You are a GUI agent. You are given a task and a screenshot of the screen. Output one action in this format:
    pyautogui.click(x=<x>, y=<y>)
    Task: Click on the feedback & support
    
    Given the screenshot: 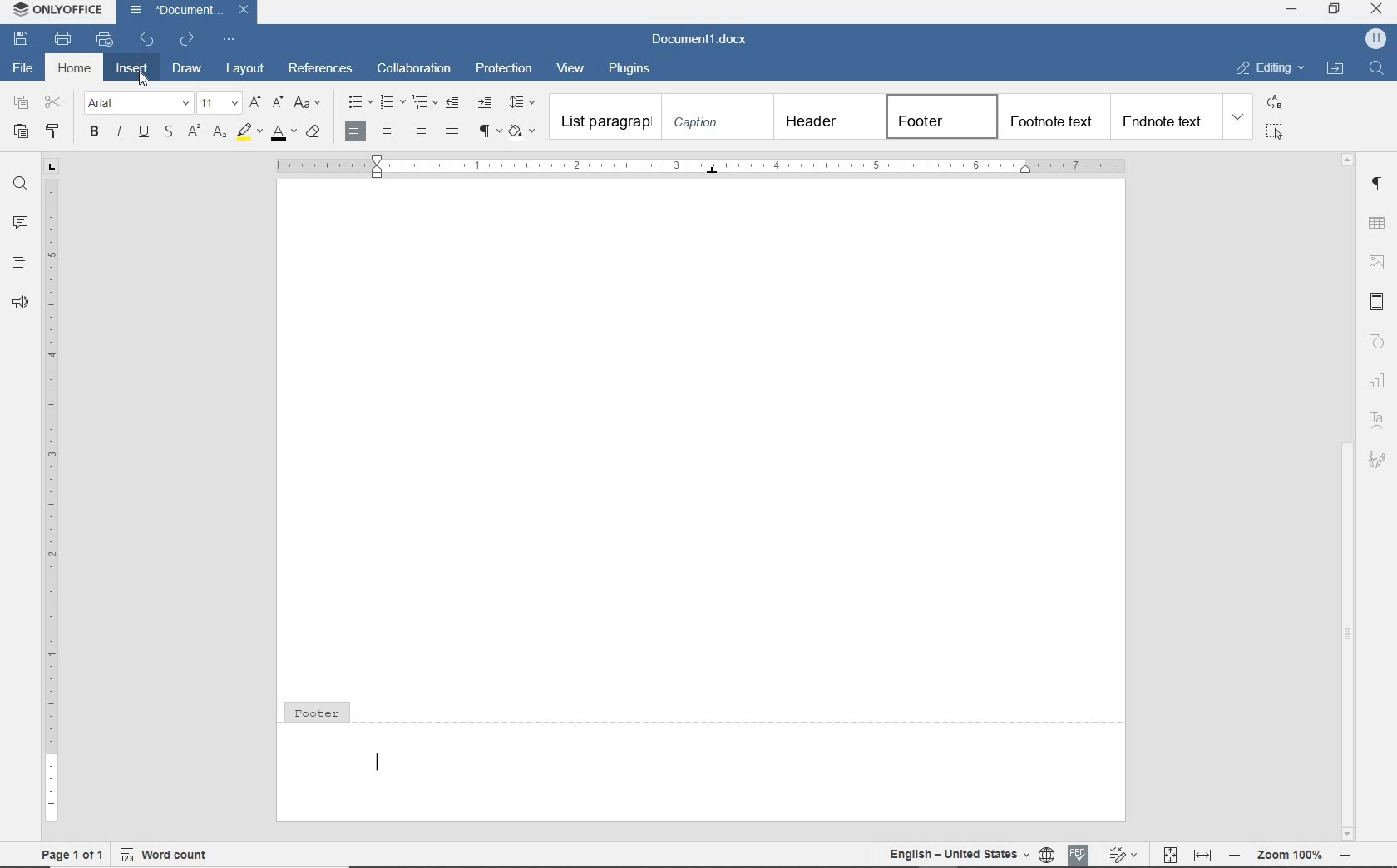 What is the action you would take?
    pyautogui.click(x=19, y=301)
    